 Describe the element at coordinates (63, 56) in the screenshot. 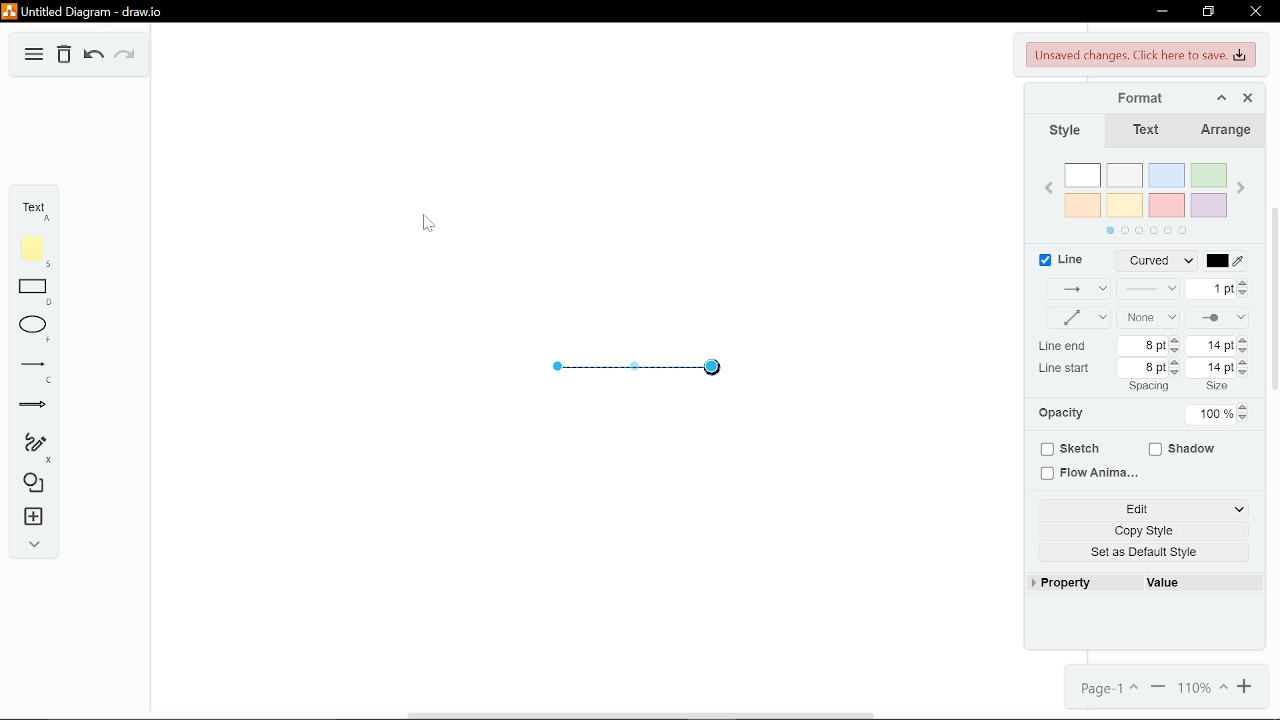

I see `Delete` at that location.